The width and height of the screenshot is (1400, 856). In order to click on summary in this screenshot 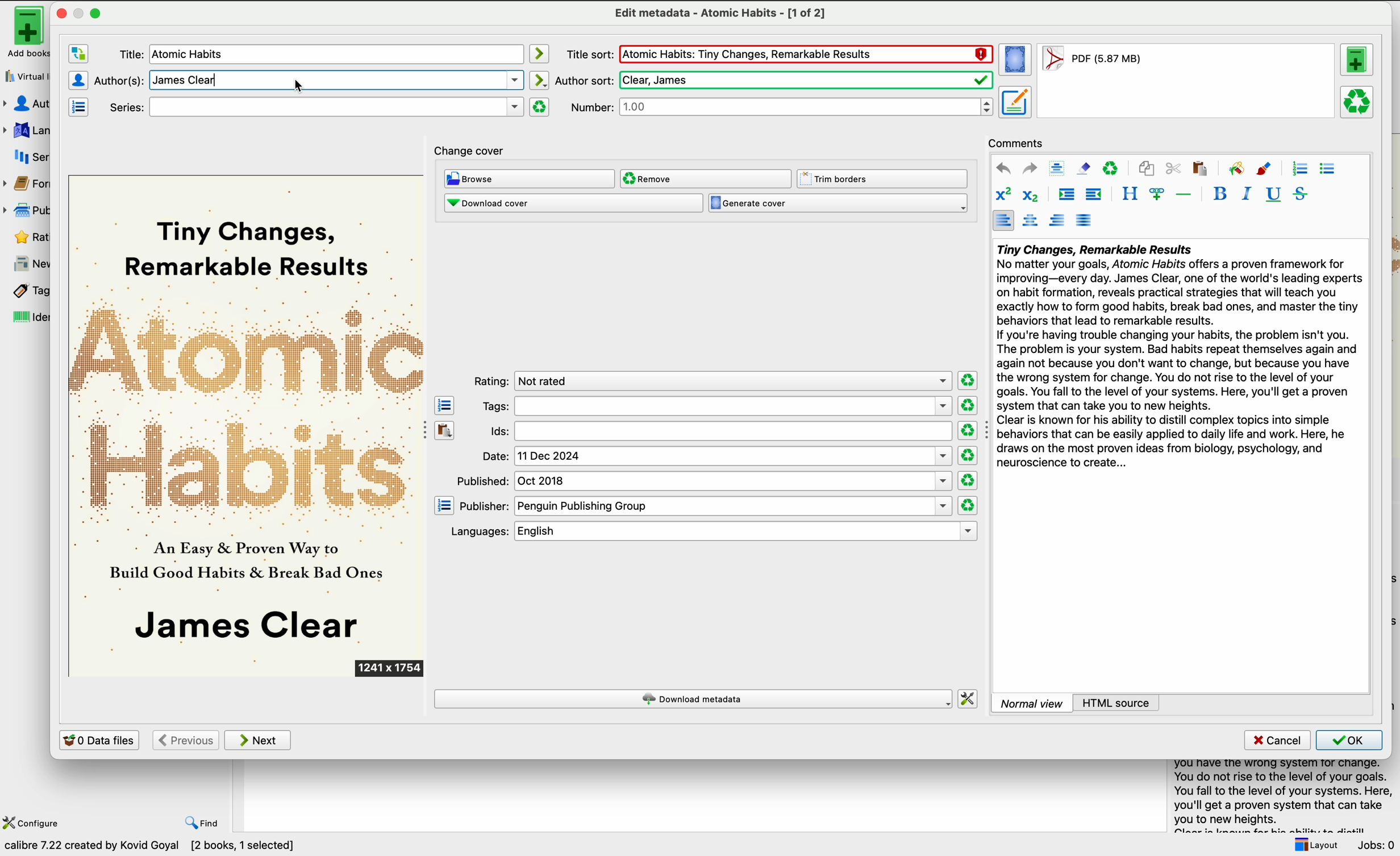, I will do `click(1178, 359)`.